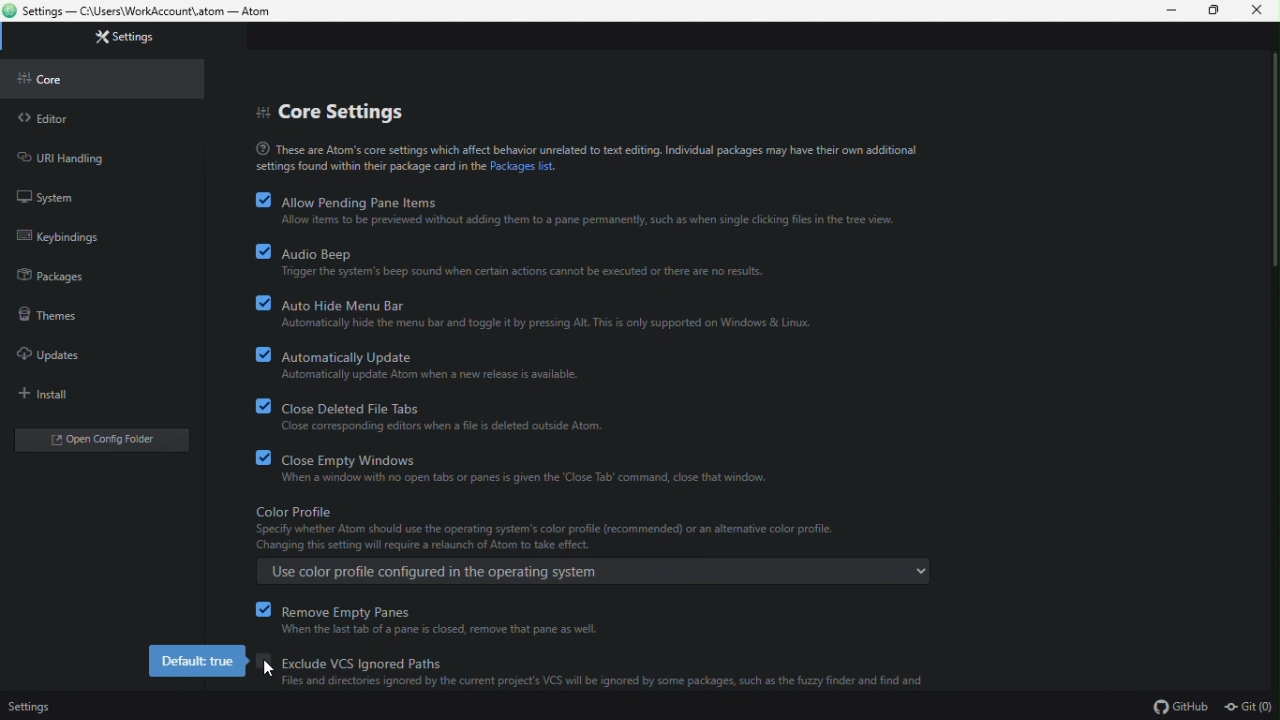 Image resolution: width=1280 pixels, height=720 pixels. Describe the element at coordinates (255, 457) in the screenshot. I see `checkbox` at that location.